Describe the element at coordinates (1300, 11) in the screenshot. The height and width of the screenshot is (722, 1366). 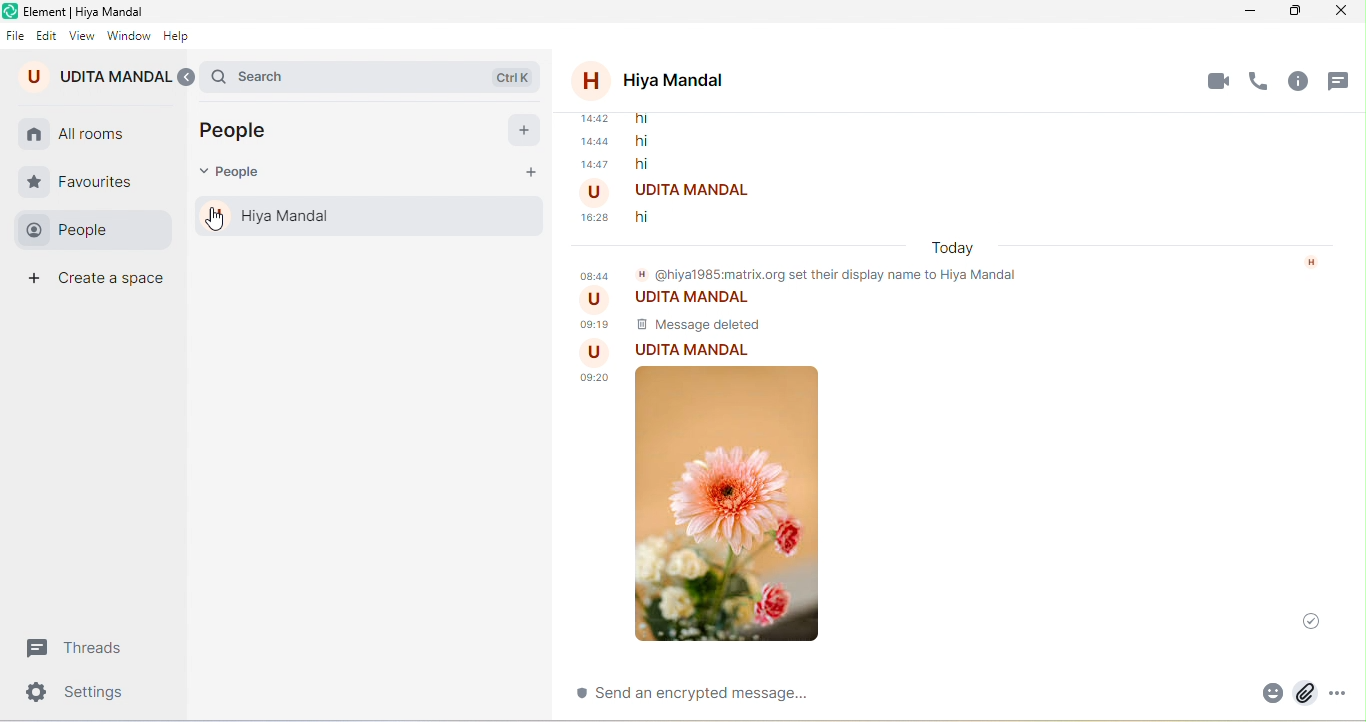
I see `maximize` at that location.